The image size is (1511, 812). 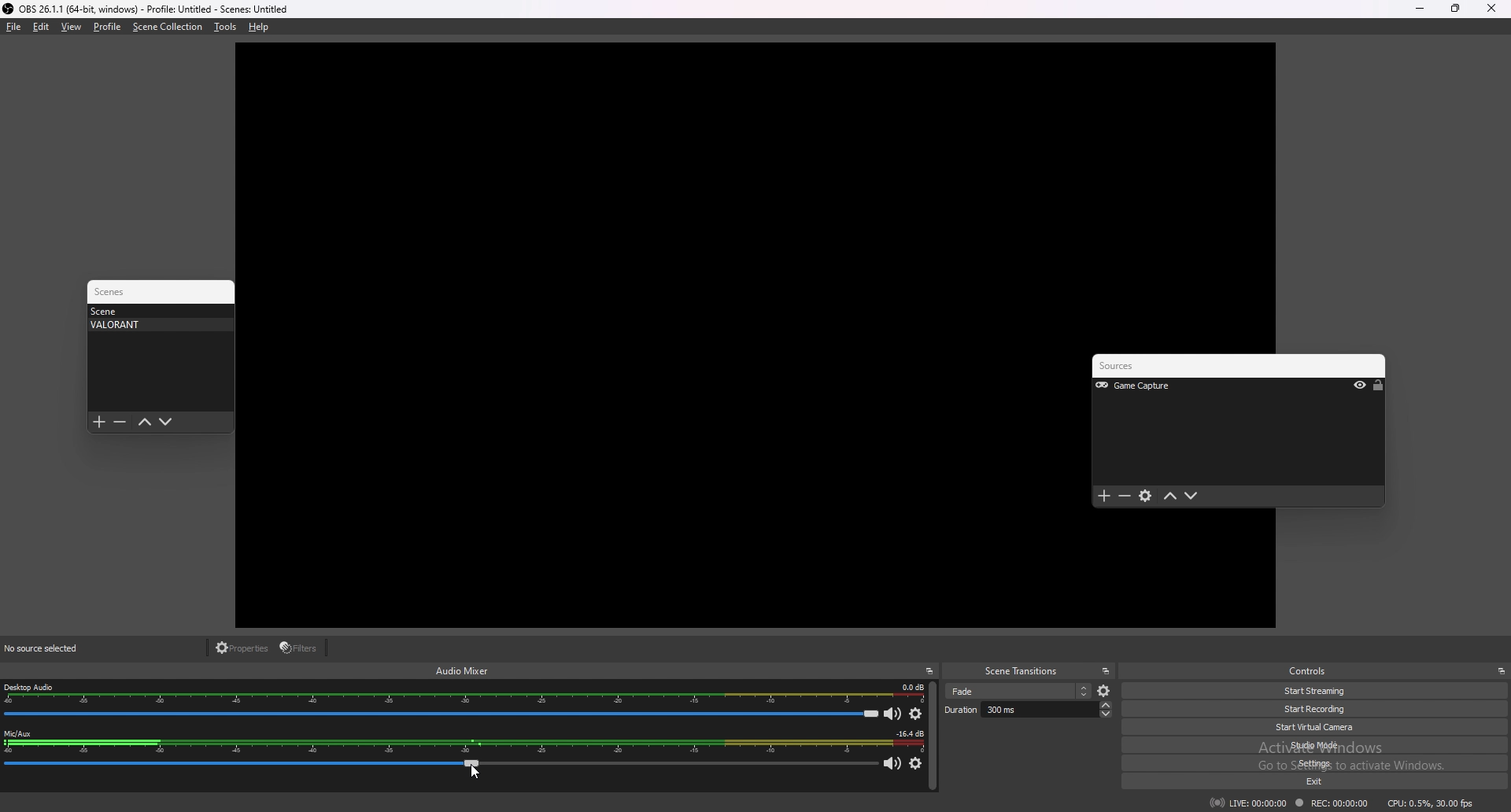 I want to click on pop out, so click(x=1501, y=671).